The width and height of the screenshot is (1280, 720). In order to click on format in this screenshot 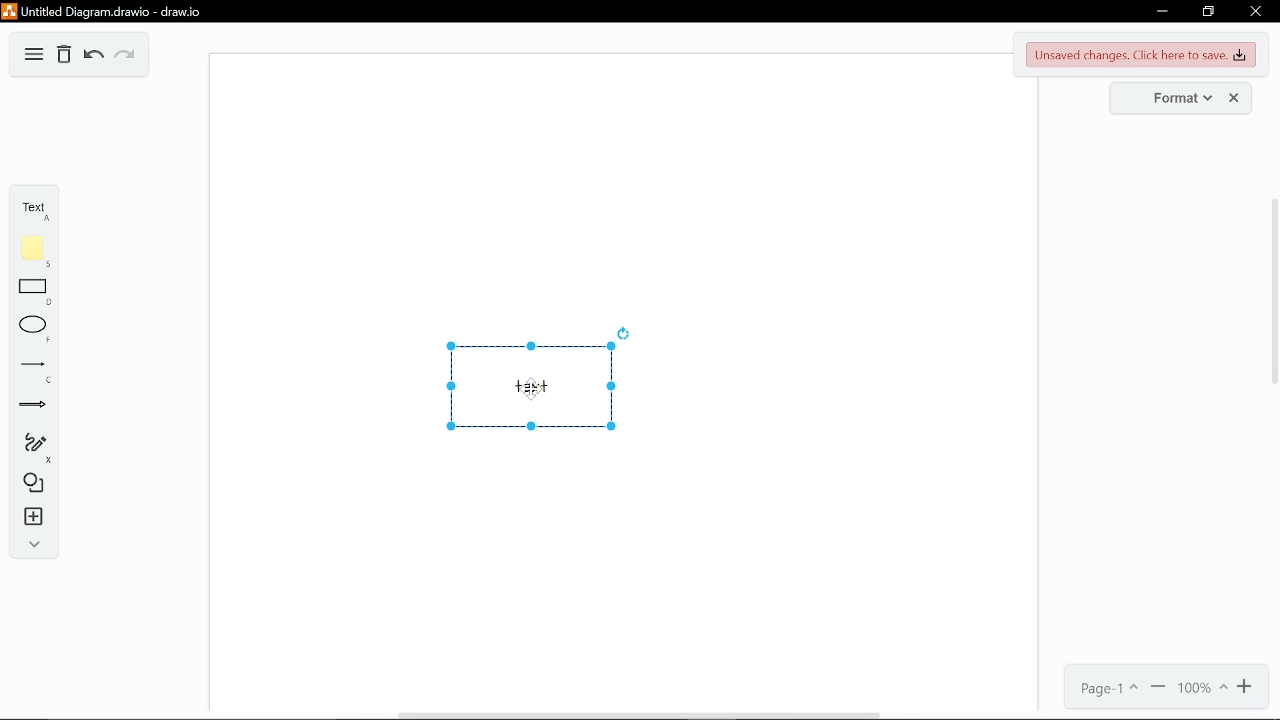, I will do `click(1174, 100)`.